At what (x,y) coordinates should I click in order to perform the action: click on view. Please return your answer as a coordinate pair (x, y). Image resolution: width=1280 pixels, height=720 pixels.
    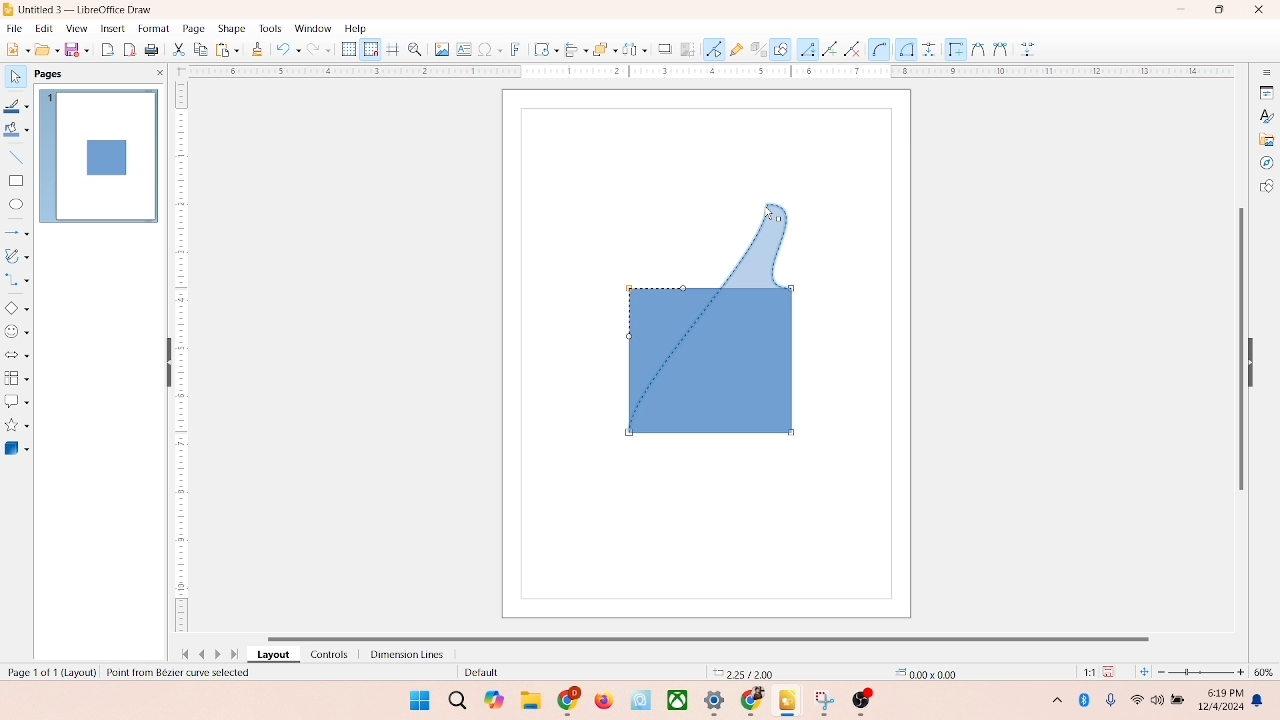
    Looking at the image, I should click on (72, 28).